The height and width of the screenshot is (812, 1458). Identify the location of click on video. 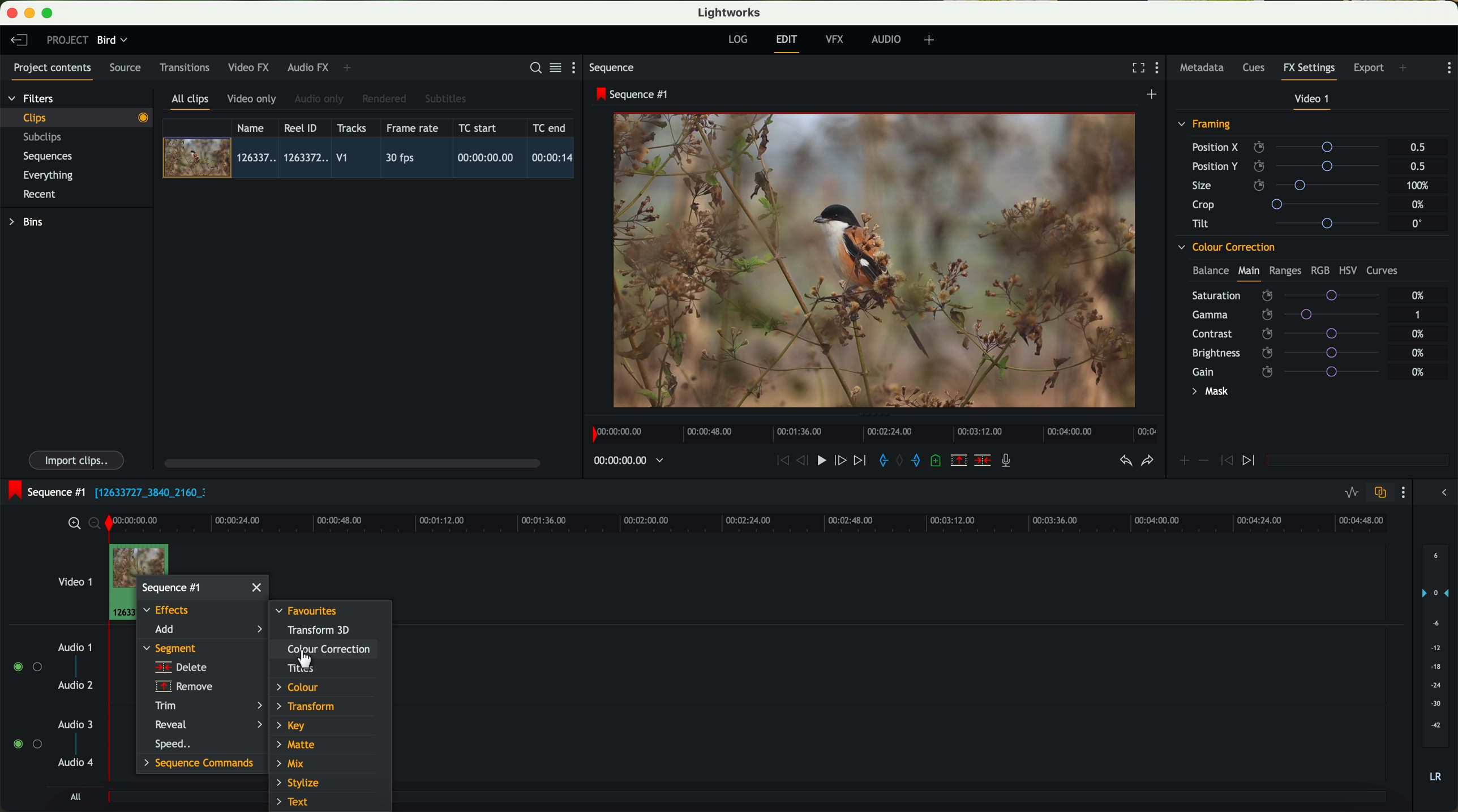
(372, 160).